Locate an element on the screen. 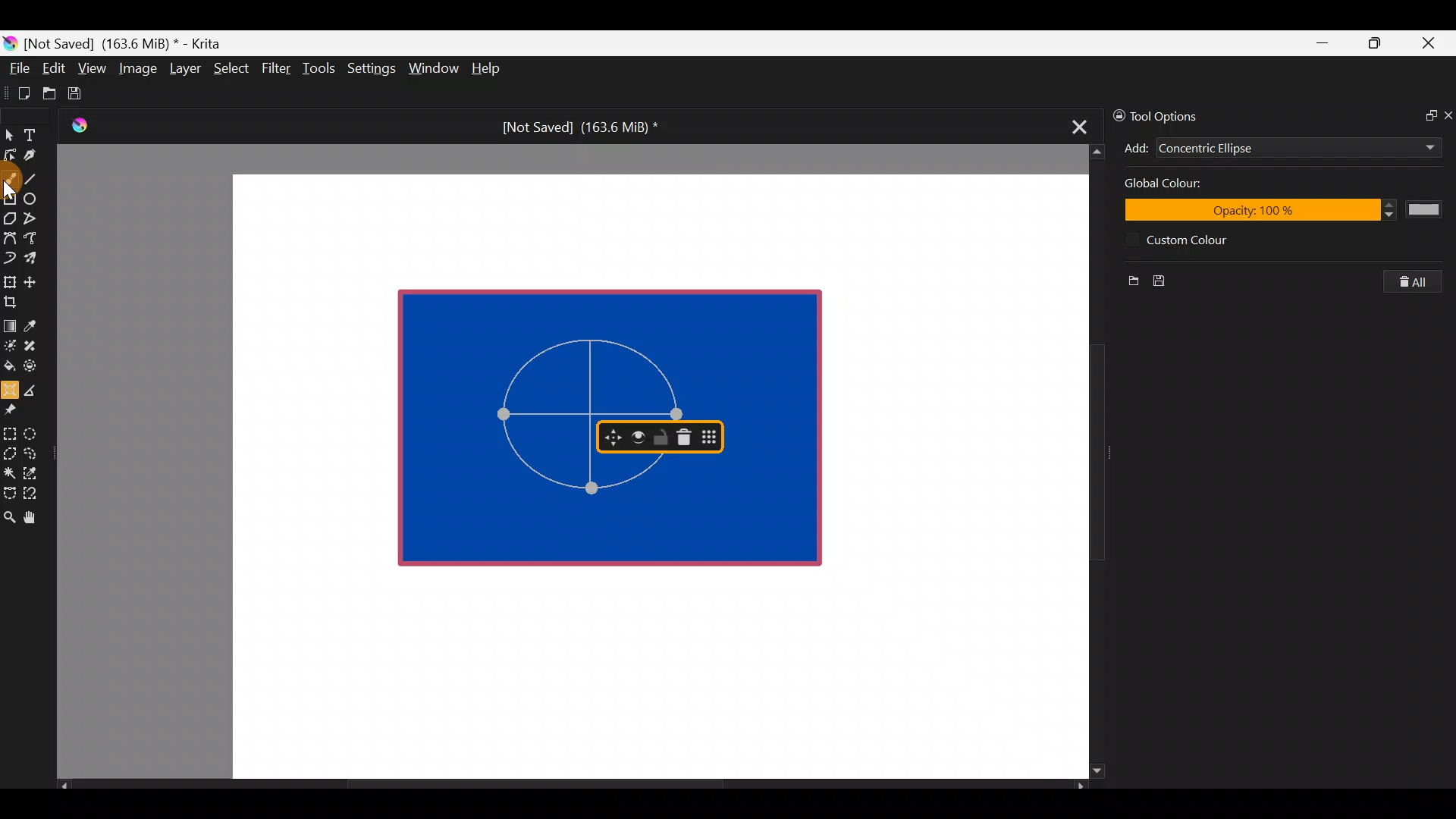 The width and height of the screenshot is (1456, 819). Close tab is located at coordinates (1075, 124).